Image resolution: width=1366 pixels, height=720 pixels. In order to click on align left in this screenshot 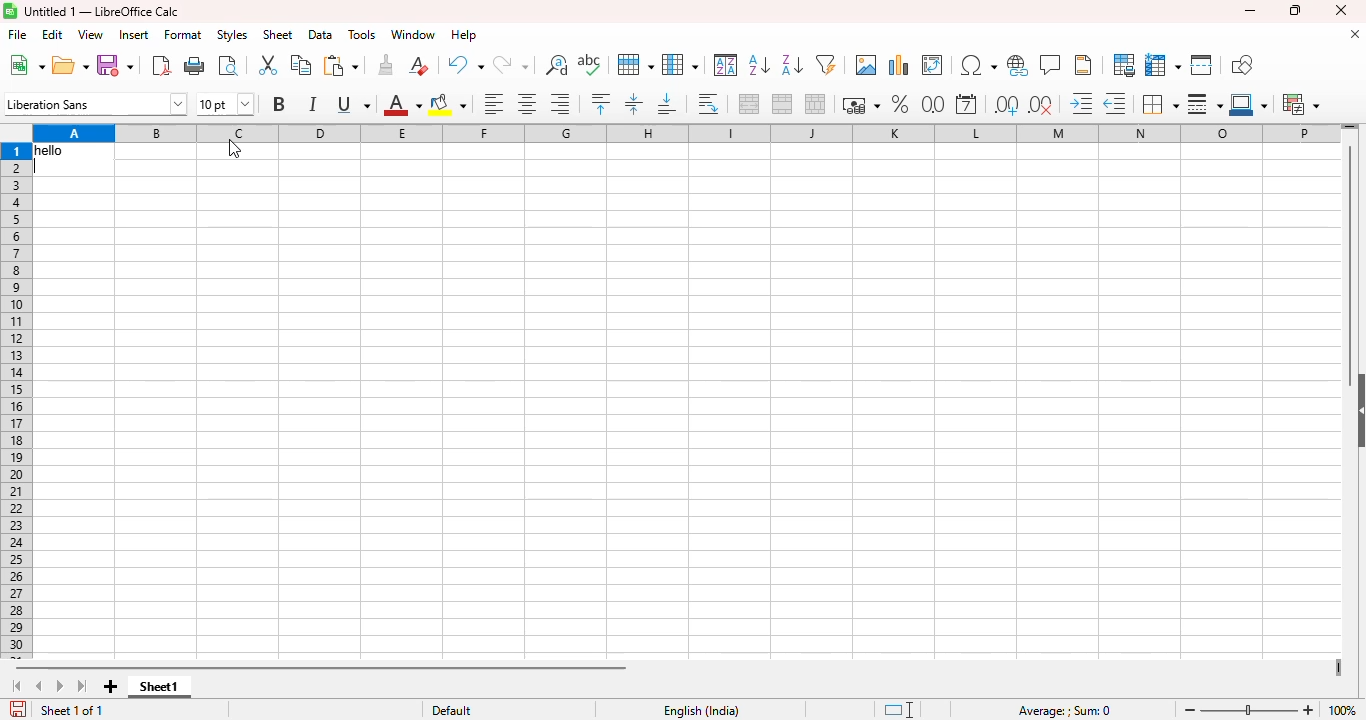, I will do `click(493, 104)`.